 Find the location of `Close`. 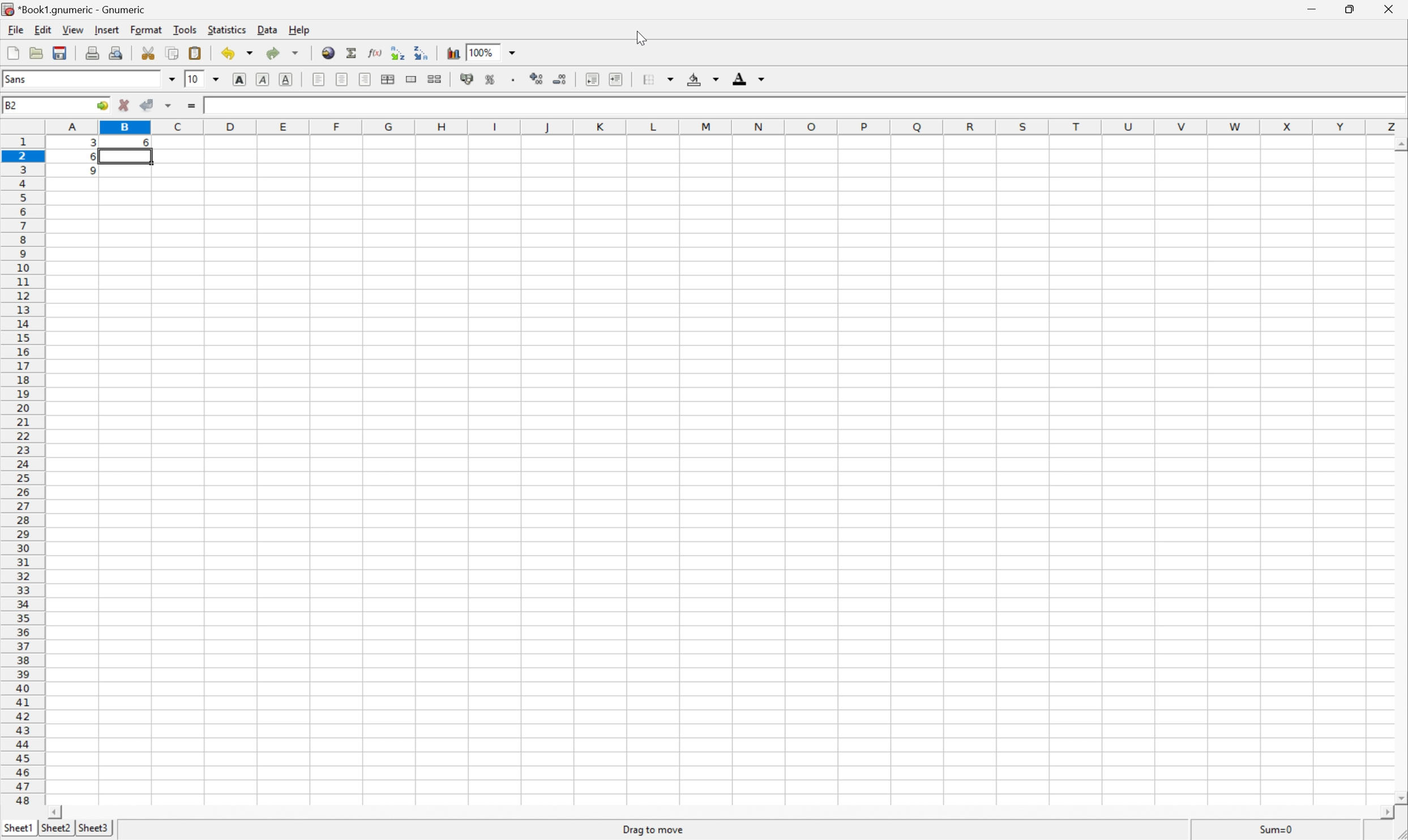

Close is located at coordinates (1385, 8).